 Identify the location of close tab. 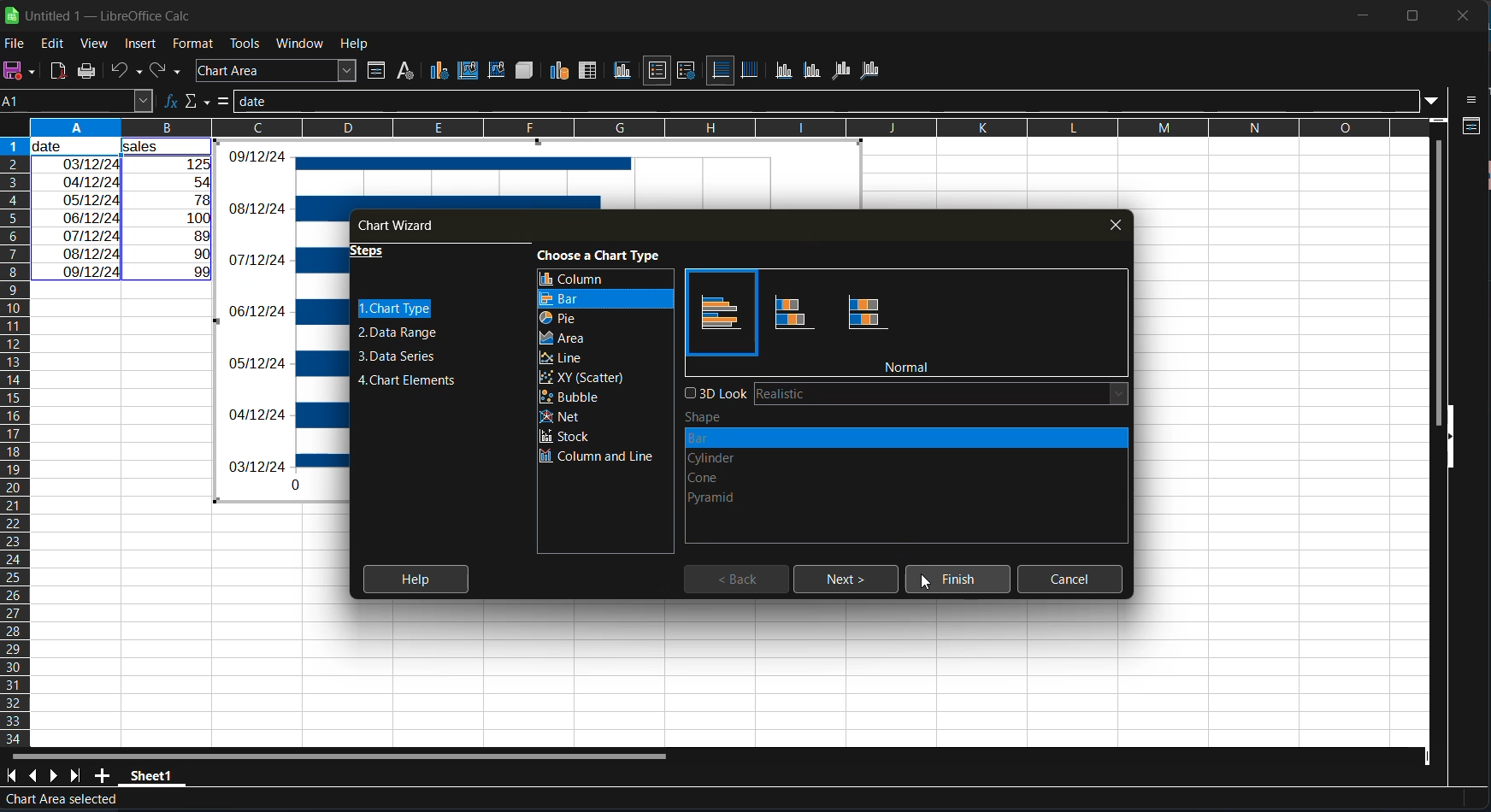
(1117, 223).